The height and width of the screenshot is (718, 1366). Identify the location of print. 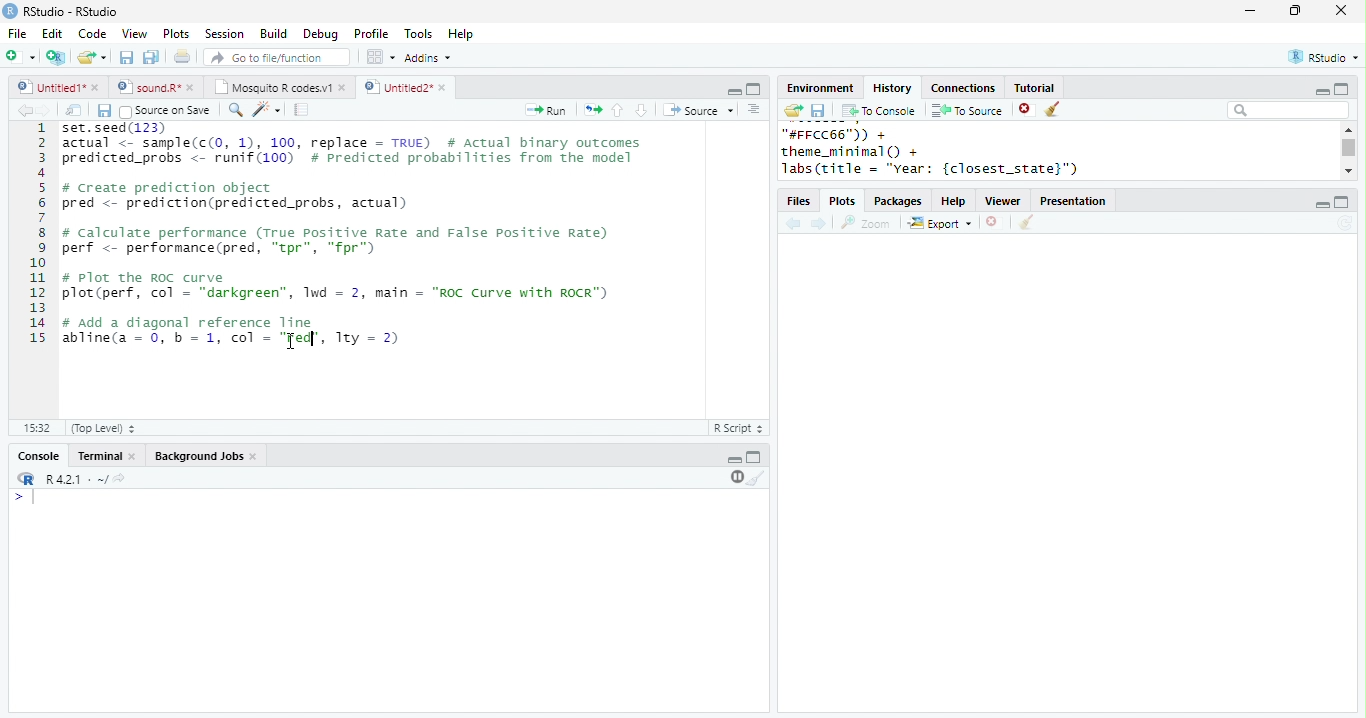
(183, 56).